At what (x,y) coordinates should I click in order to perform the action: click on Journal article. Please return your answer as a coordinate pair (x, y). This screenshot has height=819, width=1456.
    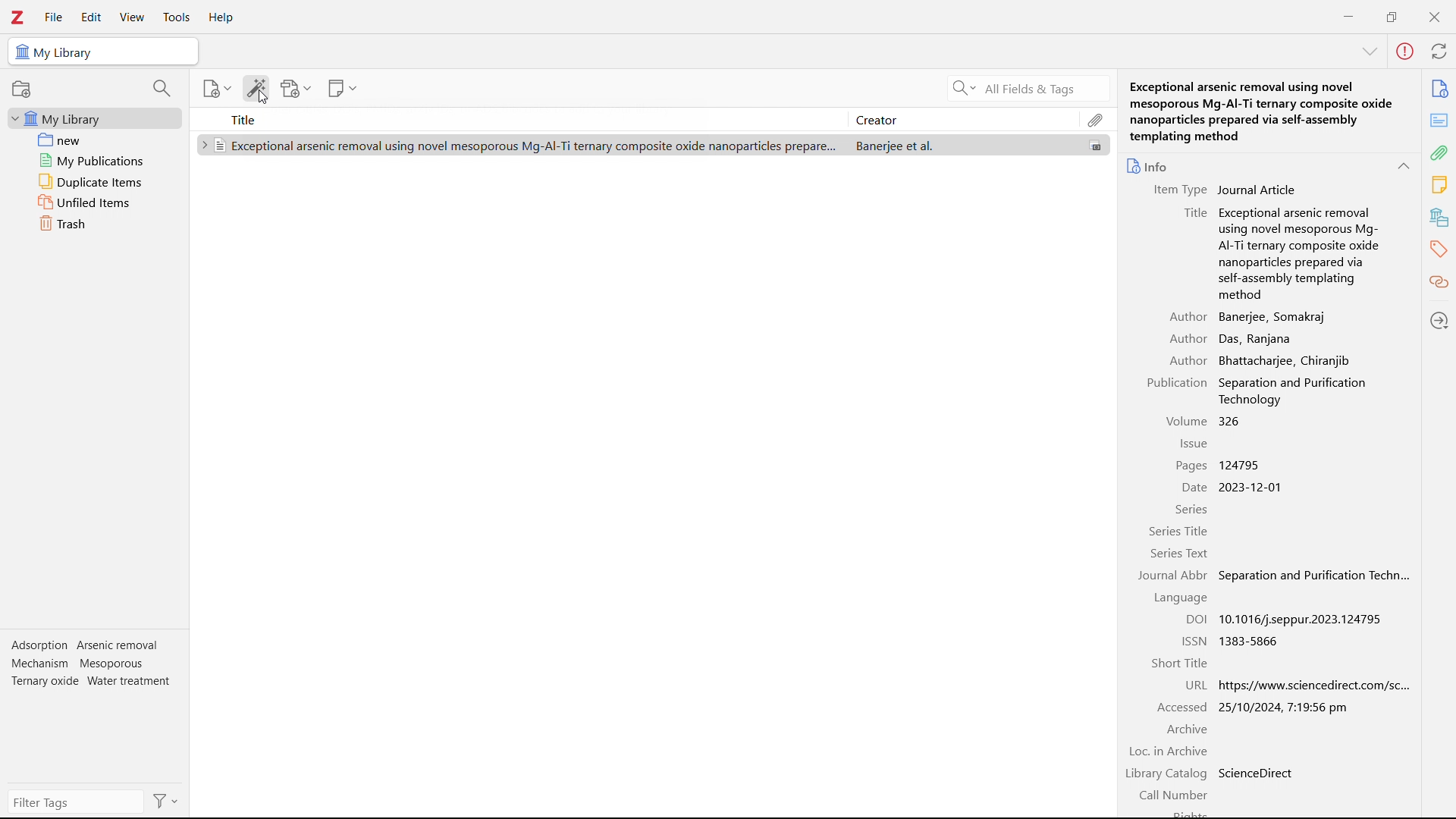
    Looking at the image, I should click on (1258, 189).